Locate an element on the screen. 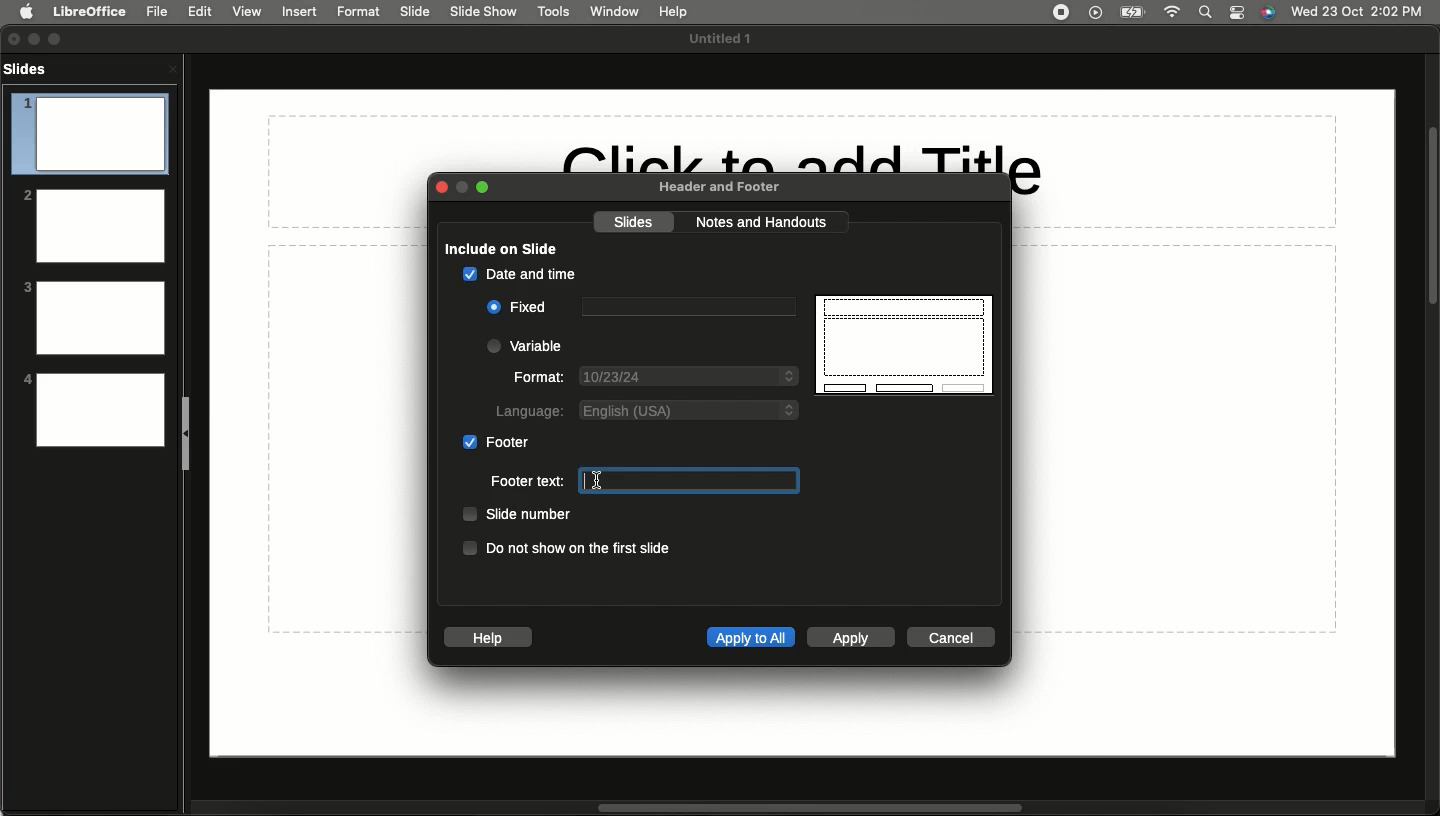 This screenshot has width=1440, height=816. Language is located at coordinates (525, 410).